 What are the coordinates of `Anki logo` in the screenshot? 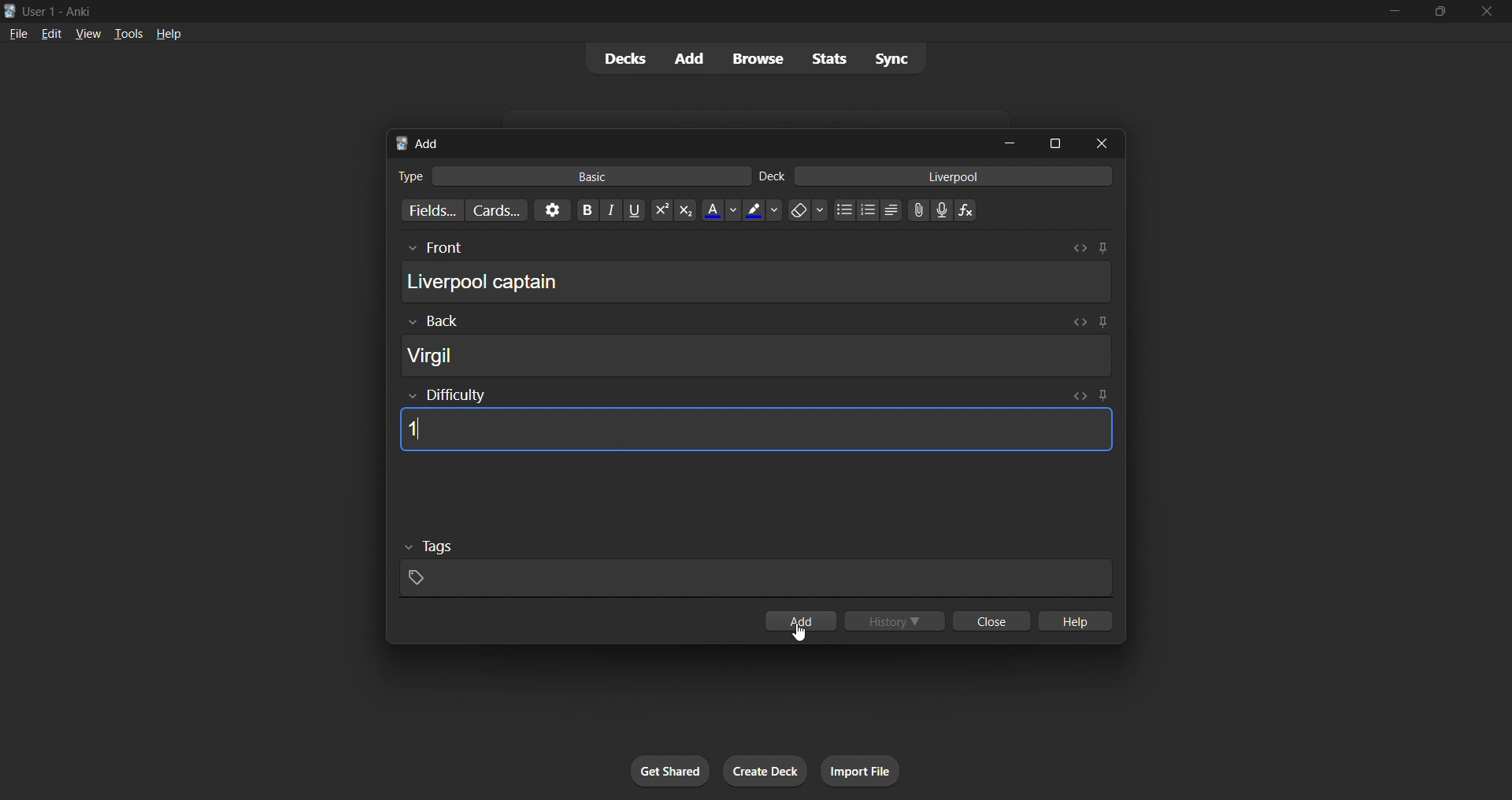 It's located at (402, 143).